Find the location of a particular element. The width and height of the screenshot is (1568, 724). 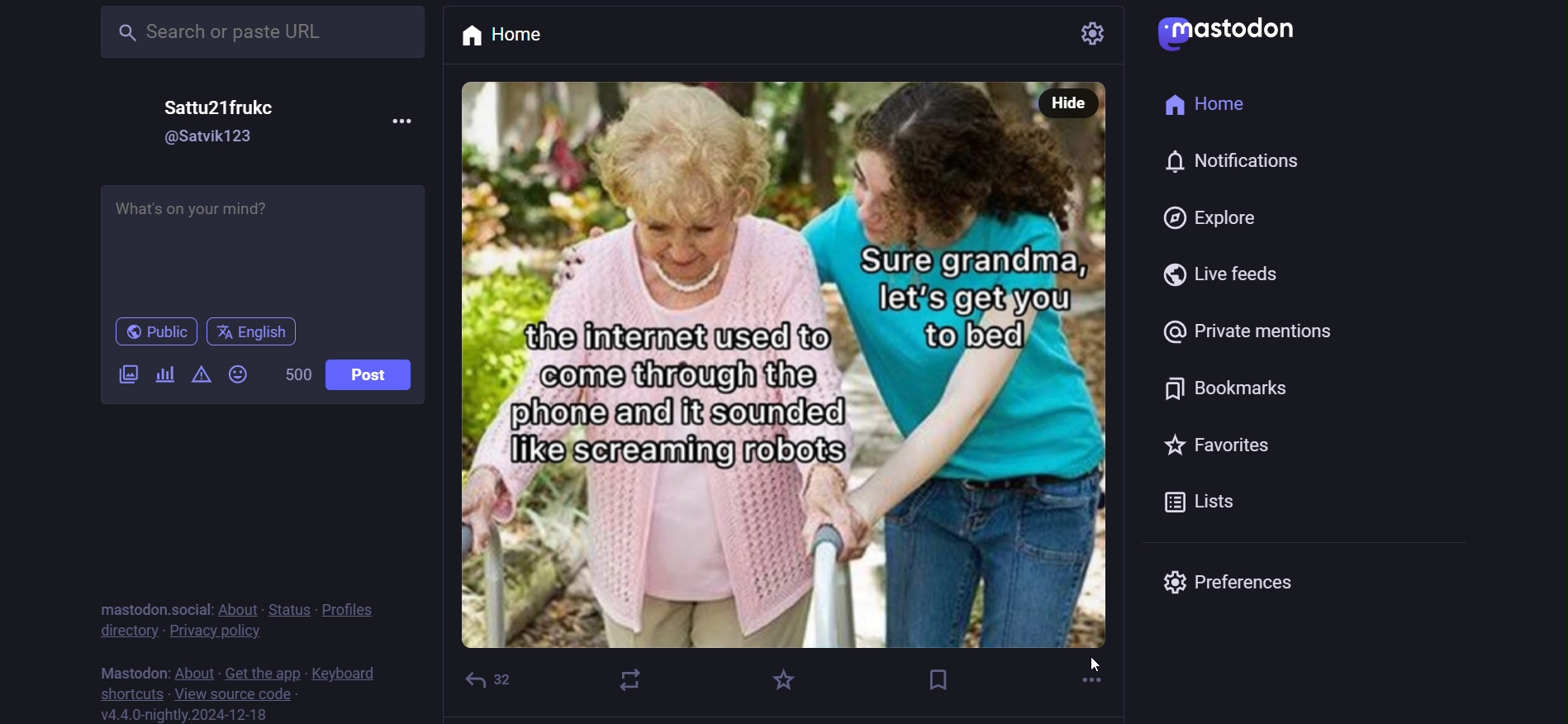

mastodon social is located at coordinates (149, 604).